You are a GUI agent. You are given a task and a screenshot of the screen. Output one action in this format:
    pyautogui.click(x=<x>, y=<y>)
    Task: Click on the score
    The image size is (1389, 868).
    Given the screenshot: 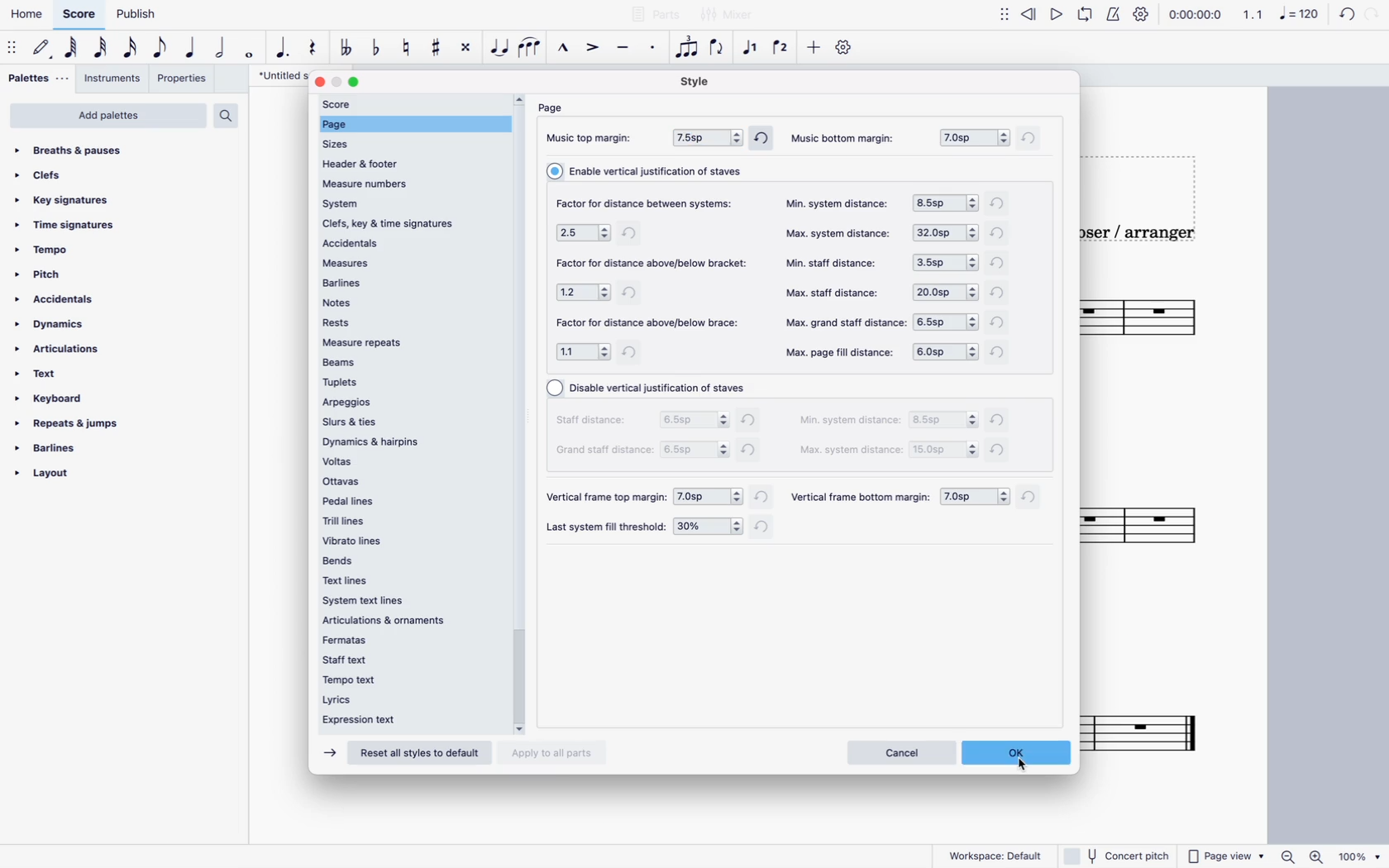 What is the action you would take?
    pyautogui.click(x=1152, y=726)
    